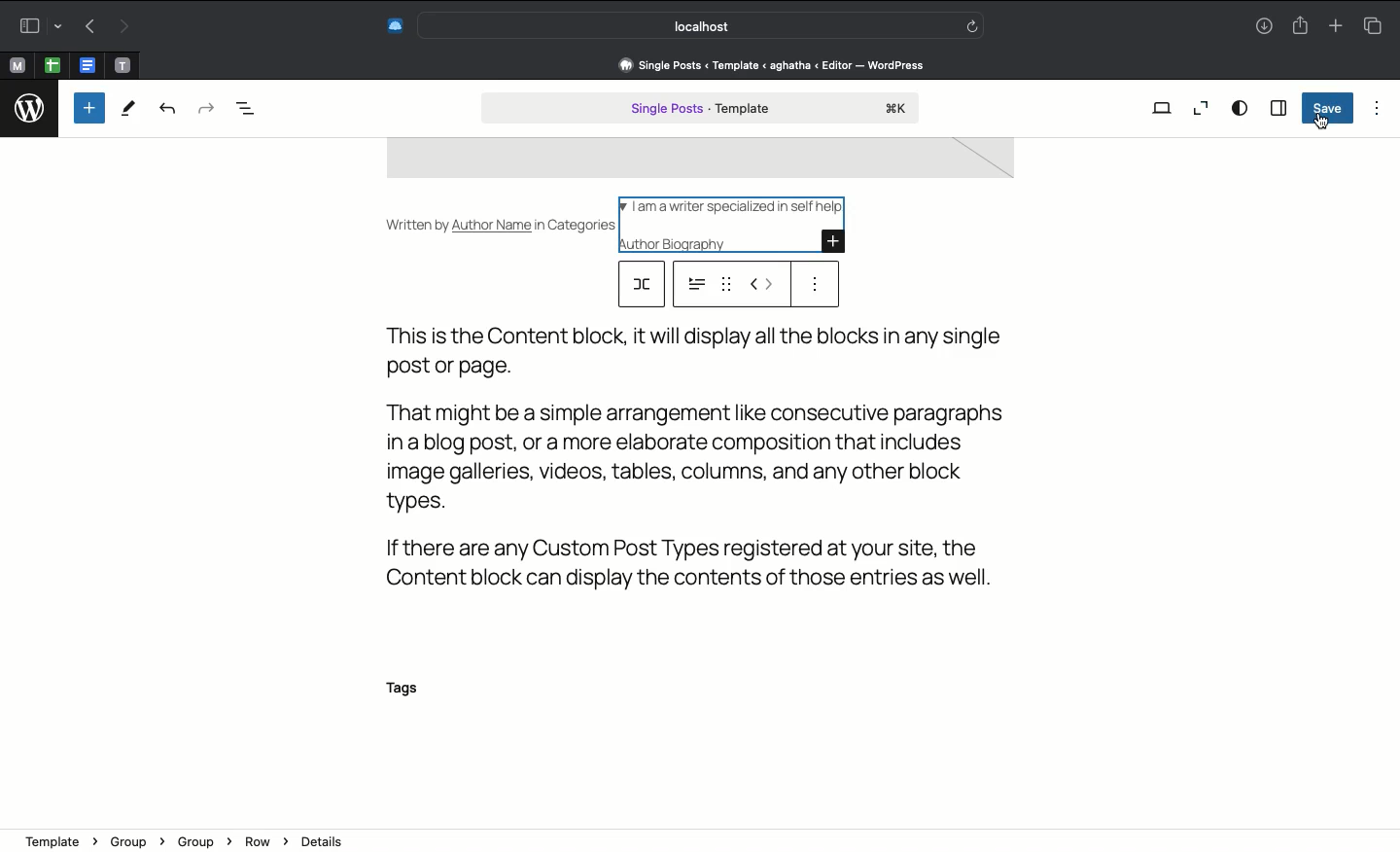 This screenshot has width=1400, height=852. I want to click on Text, so click(706, 453).